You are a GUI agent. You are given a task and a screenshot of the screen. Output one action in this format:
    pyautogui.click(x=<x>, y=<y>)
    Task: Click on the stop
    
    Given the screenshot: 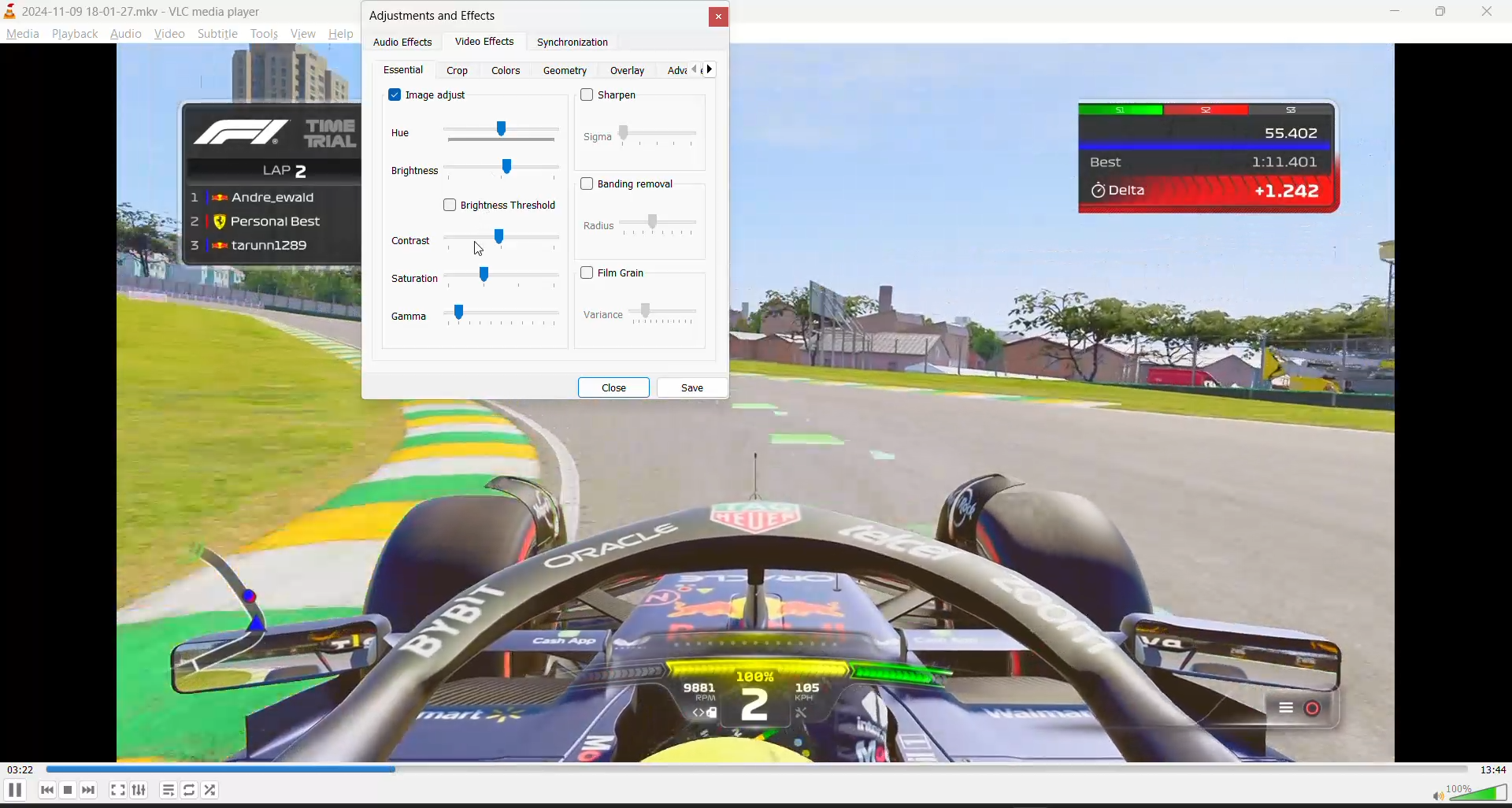 What is the action you would take?
    pyautogui.click(x=69, y=790)
    